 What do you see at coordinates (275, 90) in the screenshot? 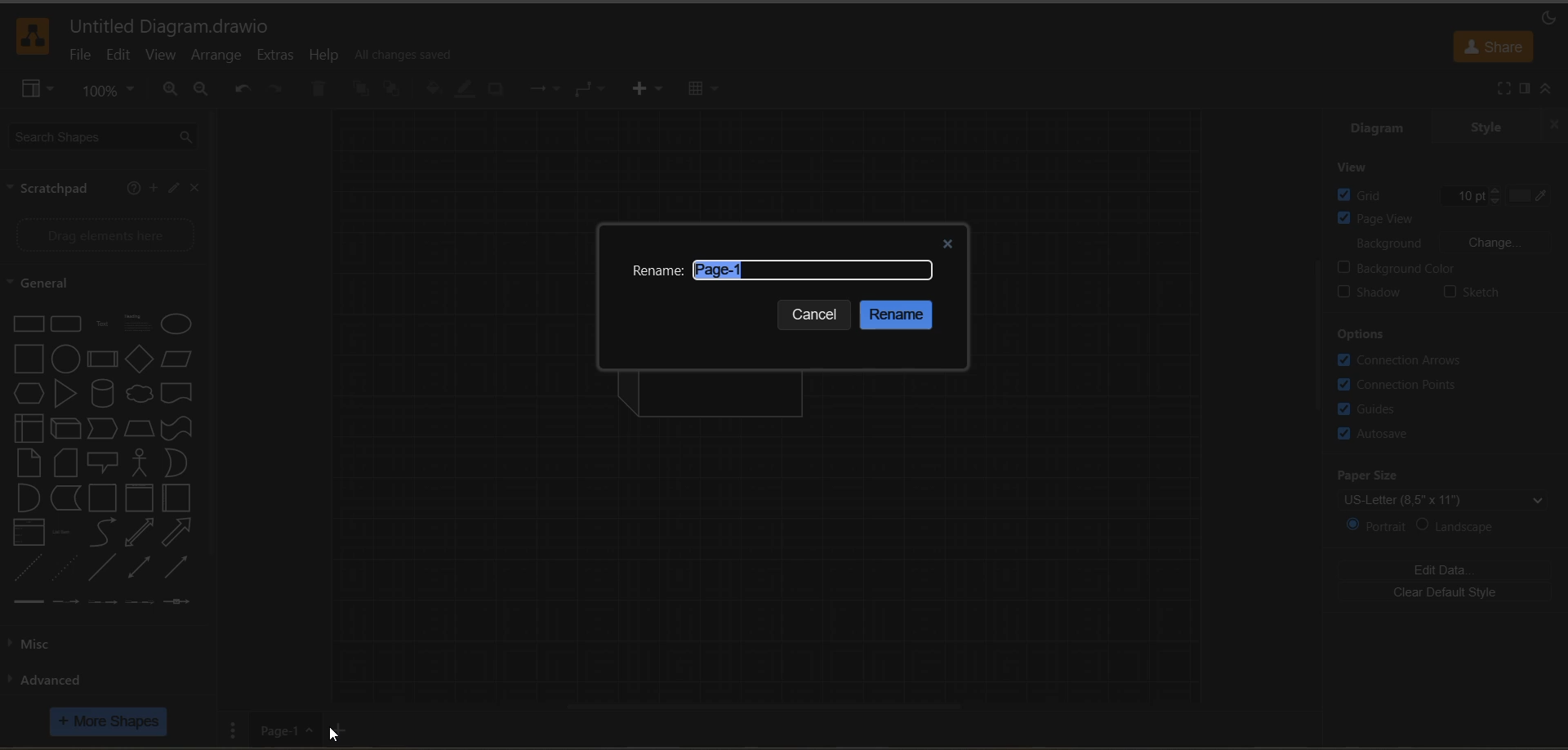
I see `redo` at bounding box center [275, 90].